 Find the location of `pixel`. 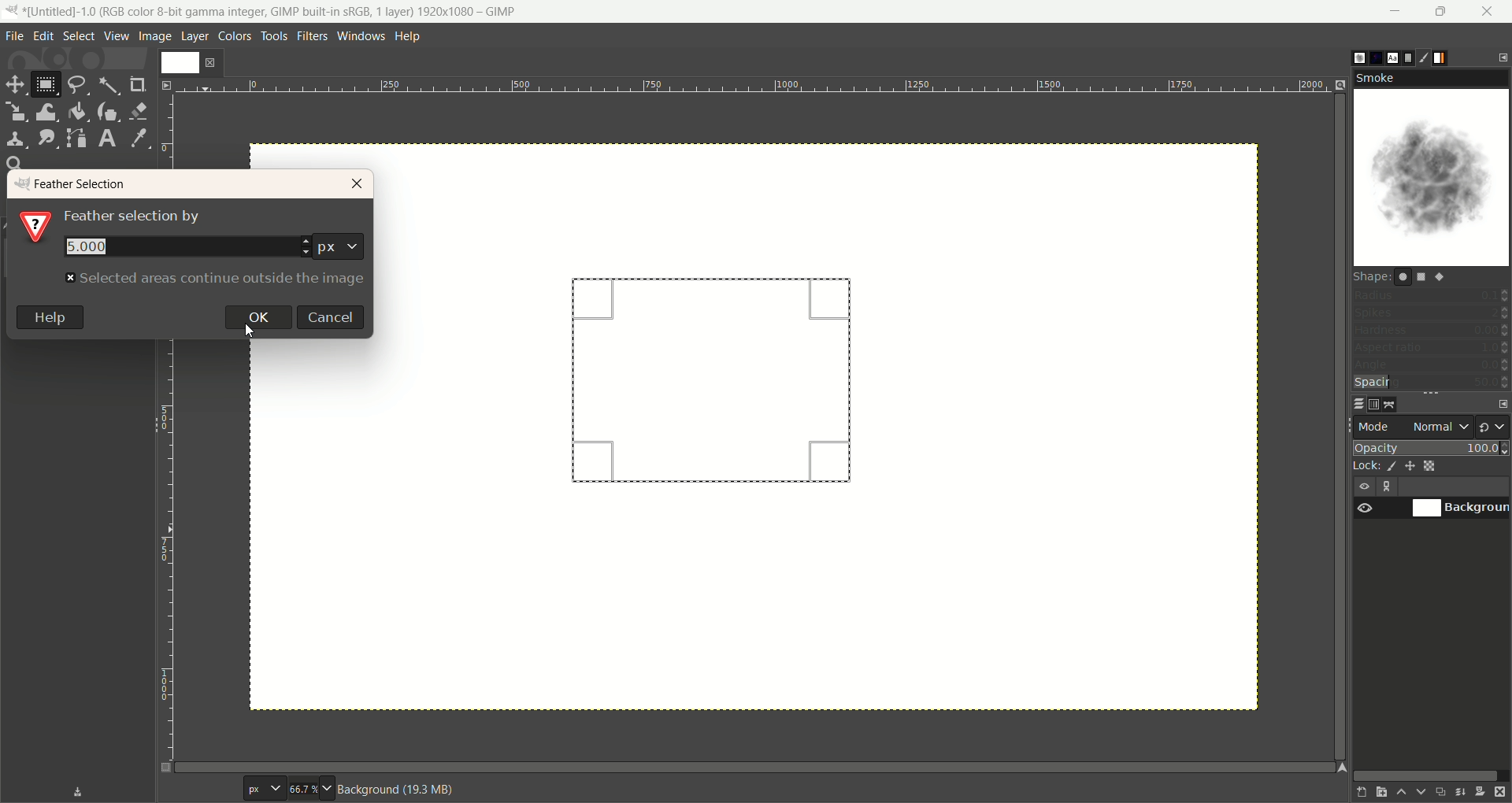

pixel is located at coordinates (261, 789).